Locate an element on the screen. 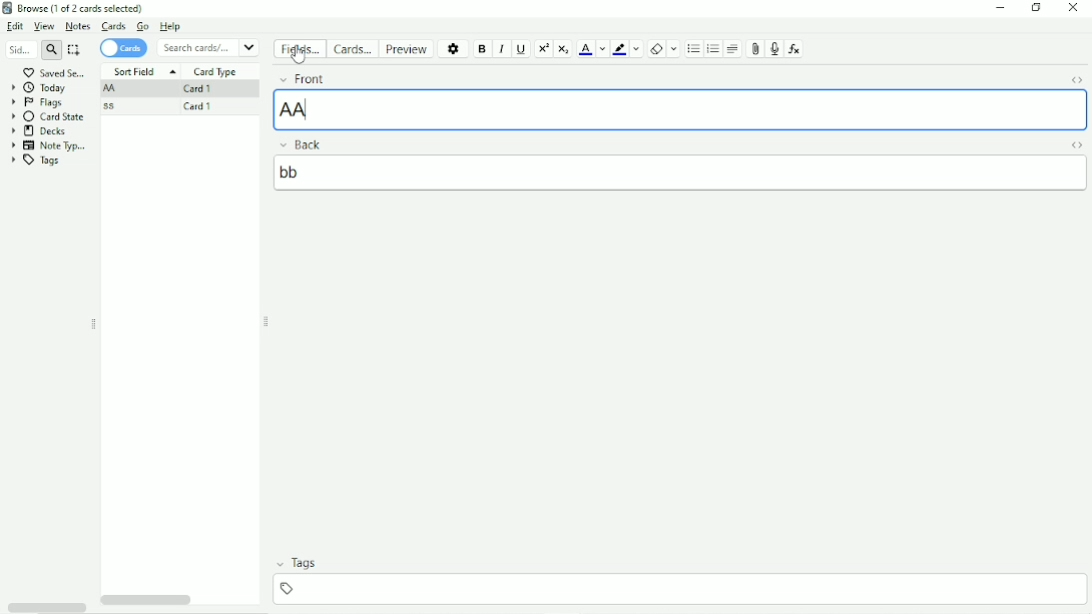  Fields is located at coordinates (299, 51).